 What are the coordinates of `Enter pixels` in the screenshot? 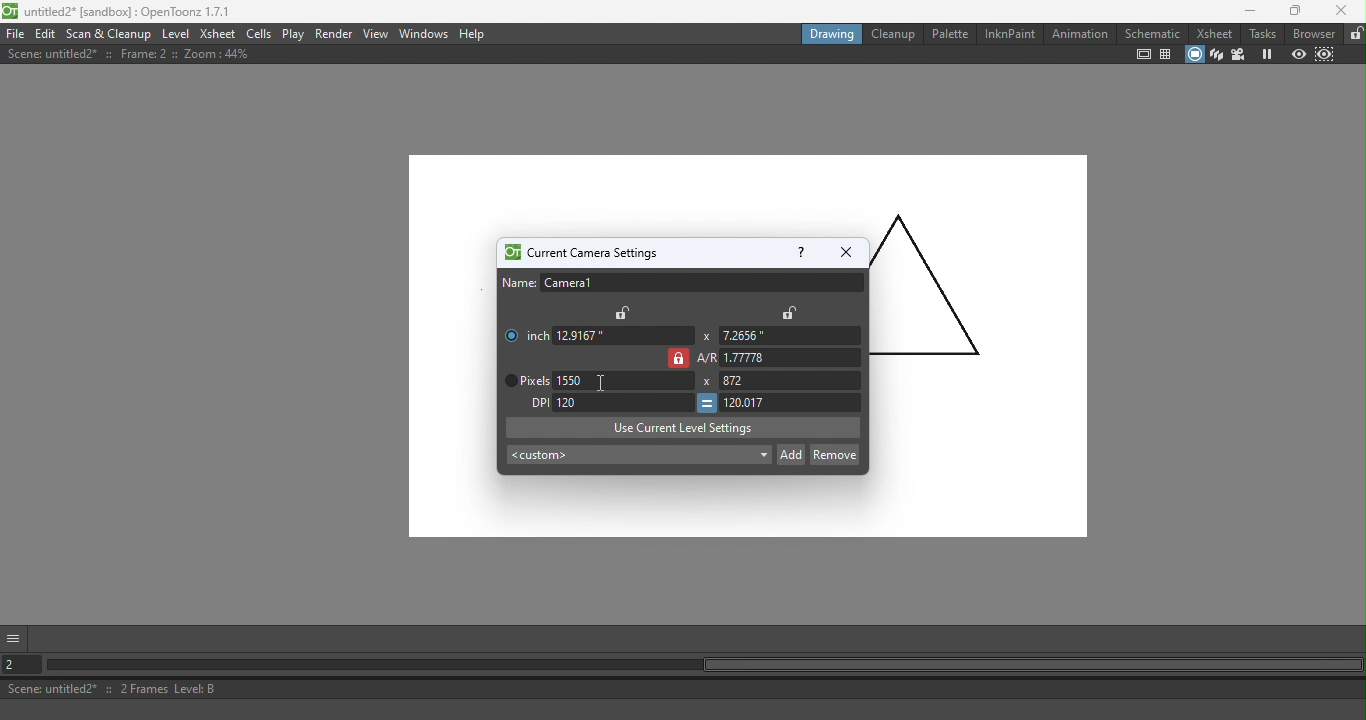 It's located at (623, 381).